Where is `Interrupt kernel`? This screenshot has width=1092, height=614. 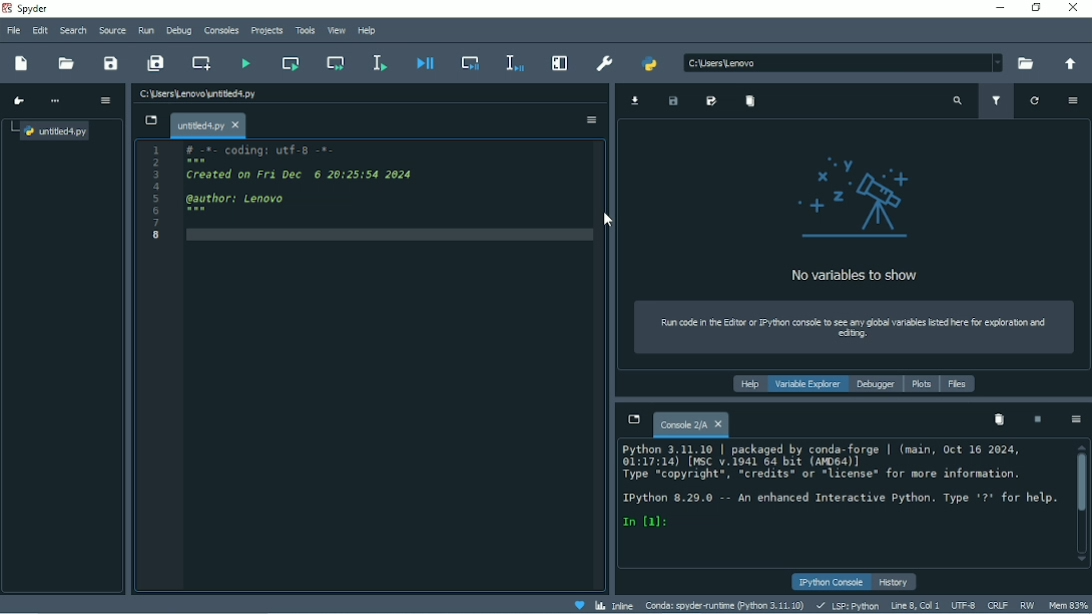
Interrupt kernel is located at coordinates (1038, 419).